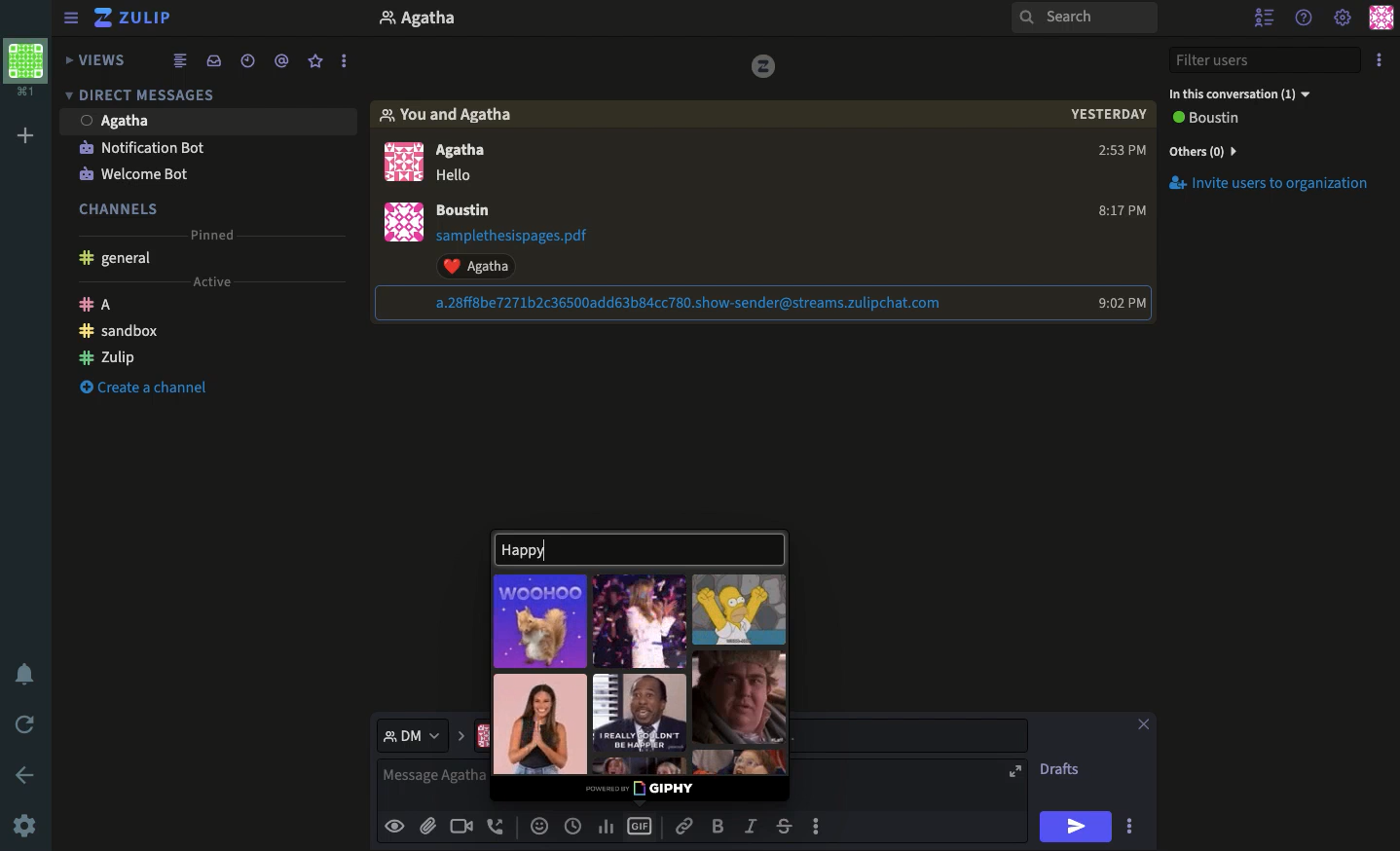 The width and height of the screenshot is (1400, 851). What do you see at coordinates (740, 610) in the screenshot?
I see `GIF` at bounding box center [740, 610].